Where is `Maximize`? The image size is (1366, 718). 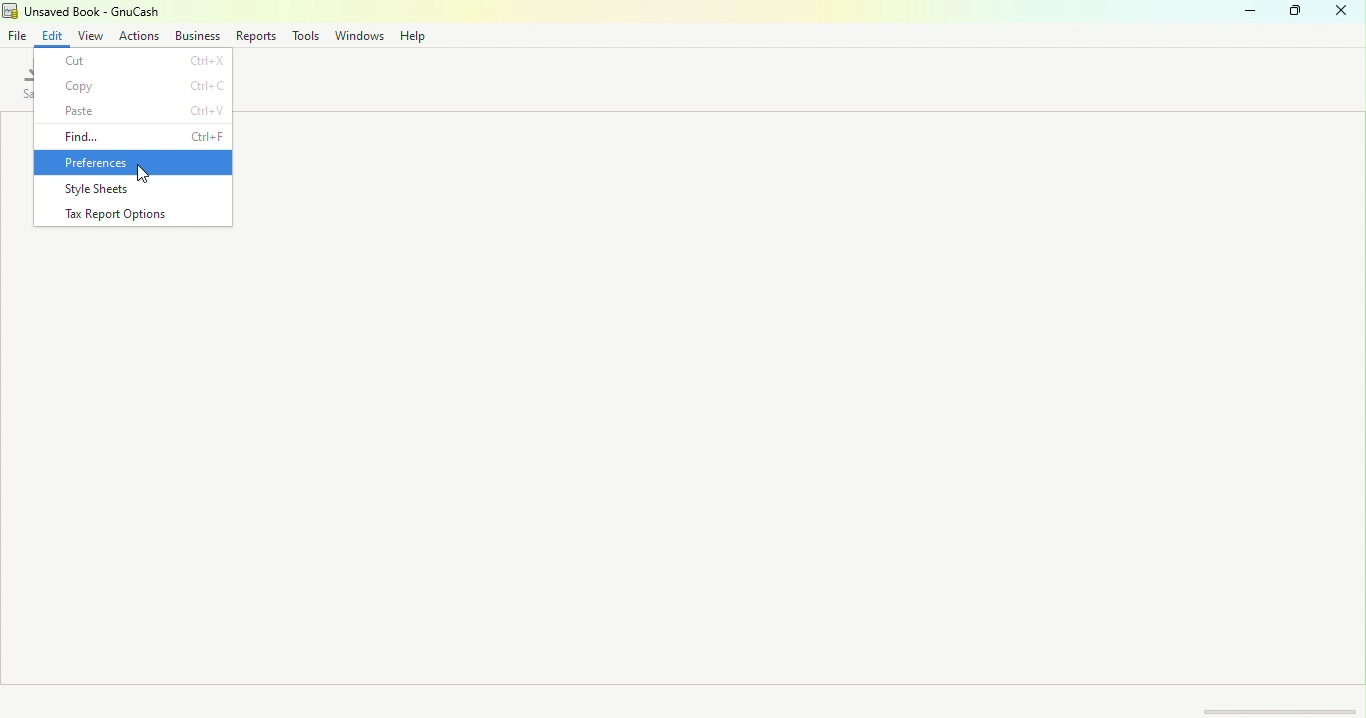
Maximize is located at coordinates (1295, 14).